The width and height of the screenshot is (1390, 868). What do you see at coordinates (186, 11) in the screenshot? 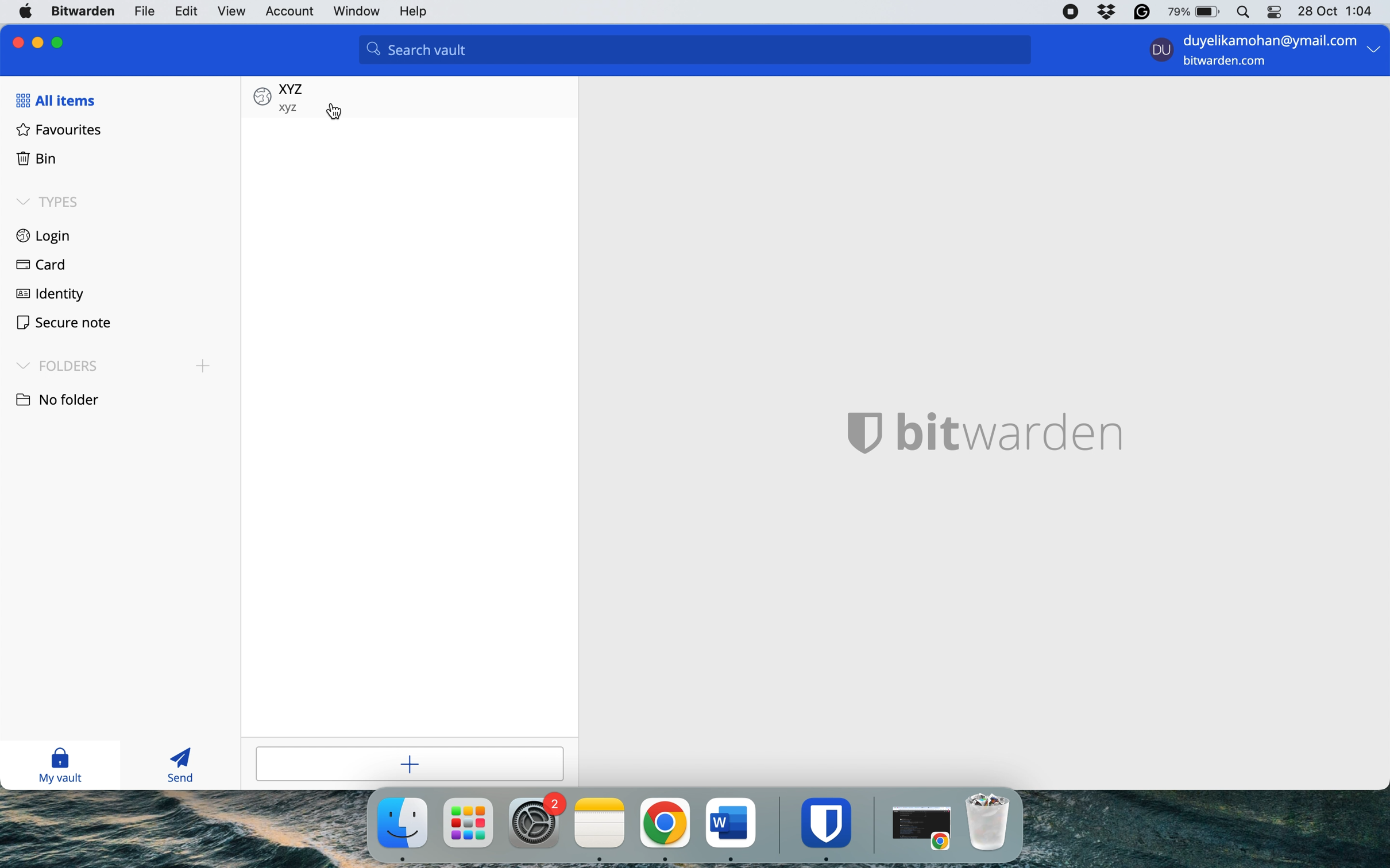
I see `edit` at bounding box center [186, 11].